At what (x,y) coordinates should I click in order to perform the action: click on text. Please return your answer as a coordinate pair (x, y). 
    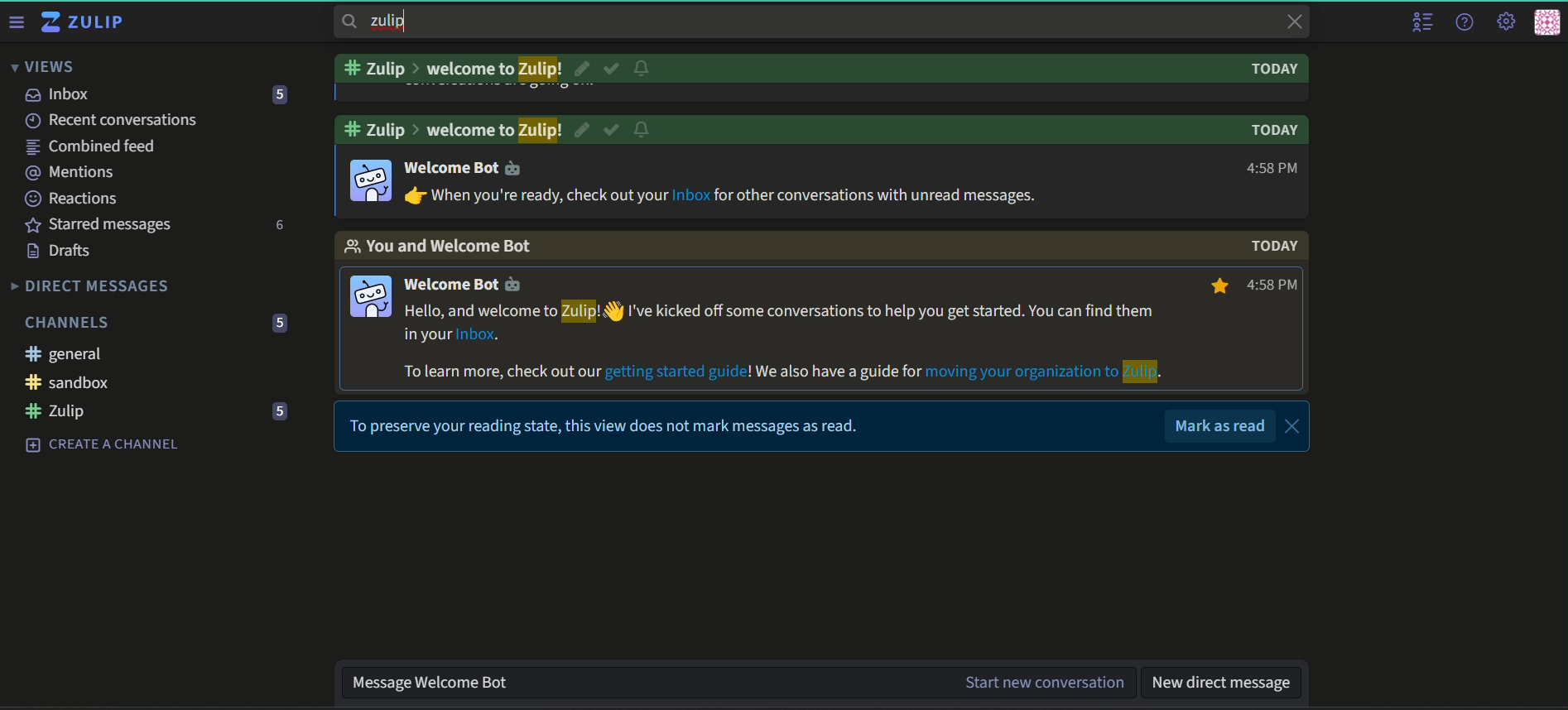
    Looking at the image, I should click on (720, 196).